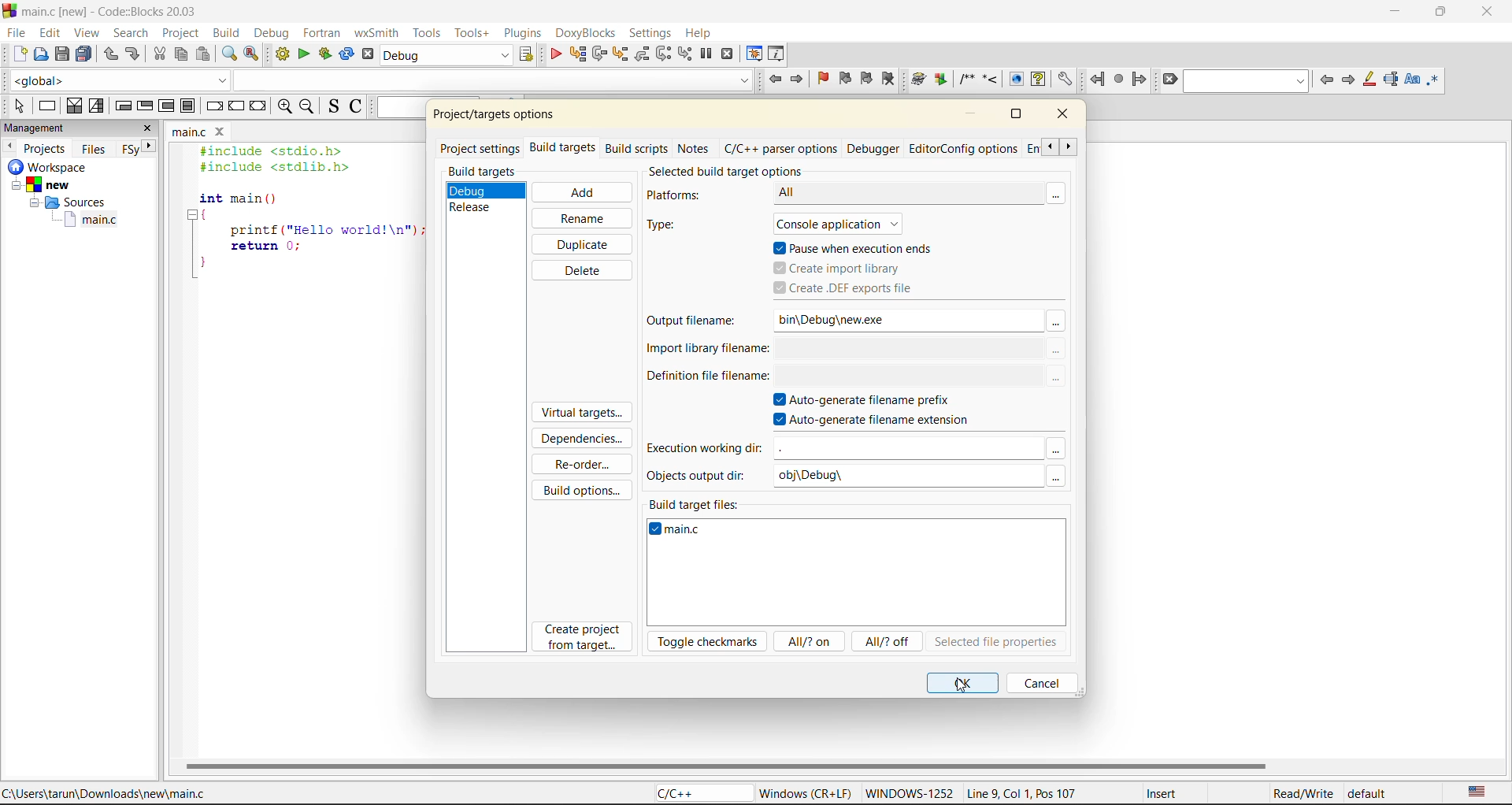 The width and height of the screenshot is (1512, 805). Describe the element at coordinates (687, 54) in the screenshot. I see `st` at that location.